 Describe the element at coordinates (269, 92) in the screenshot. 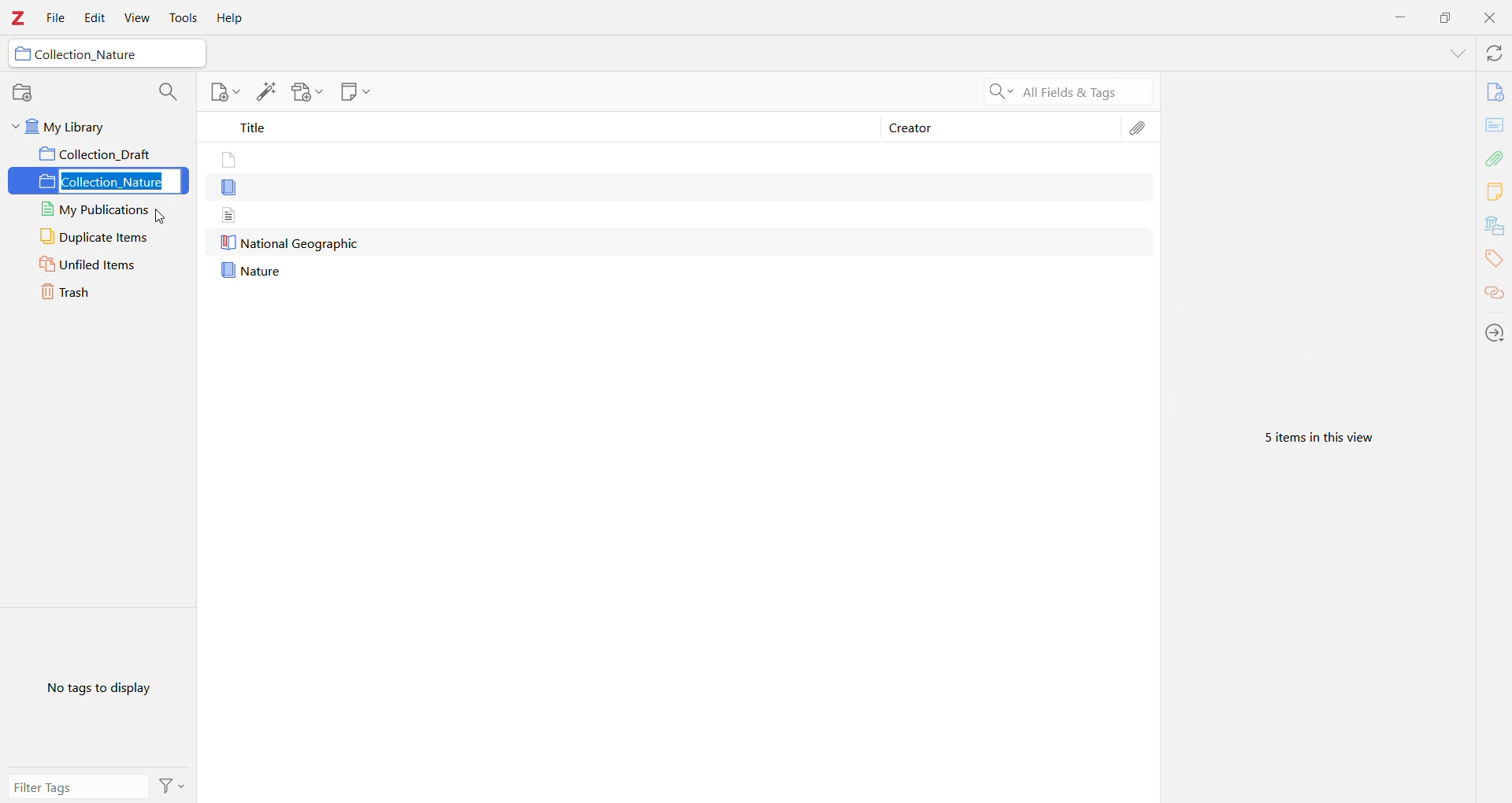

I see `Add Item(s) by Identifier` at that location.